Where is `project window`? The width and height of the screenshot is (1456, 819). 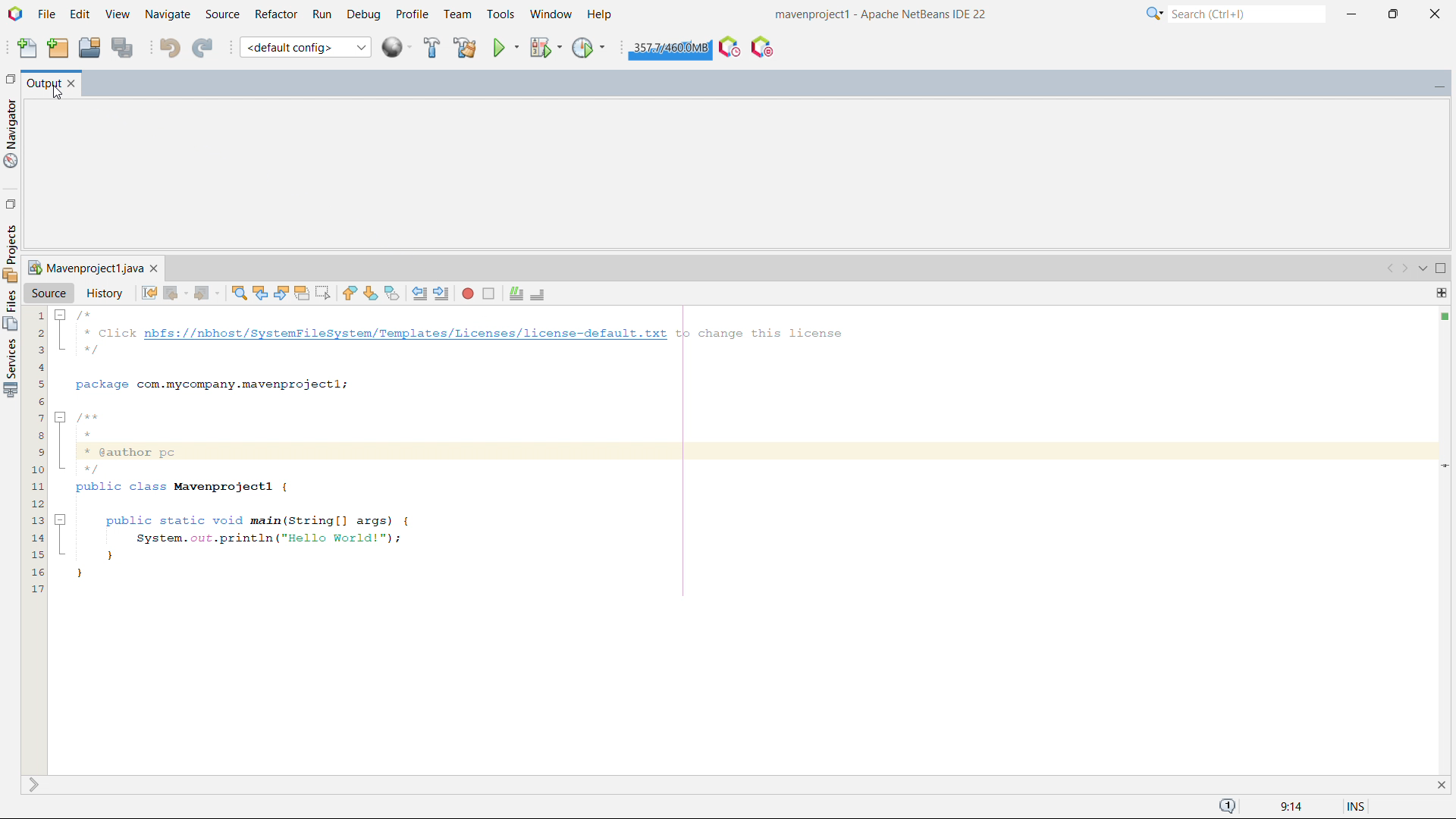
project window is located at coordinates (83, 268).